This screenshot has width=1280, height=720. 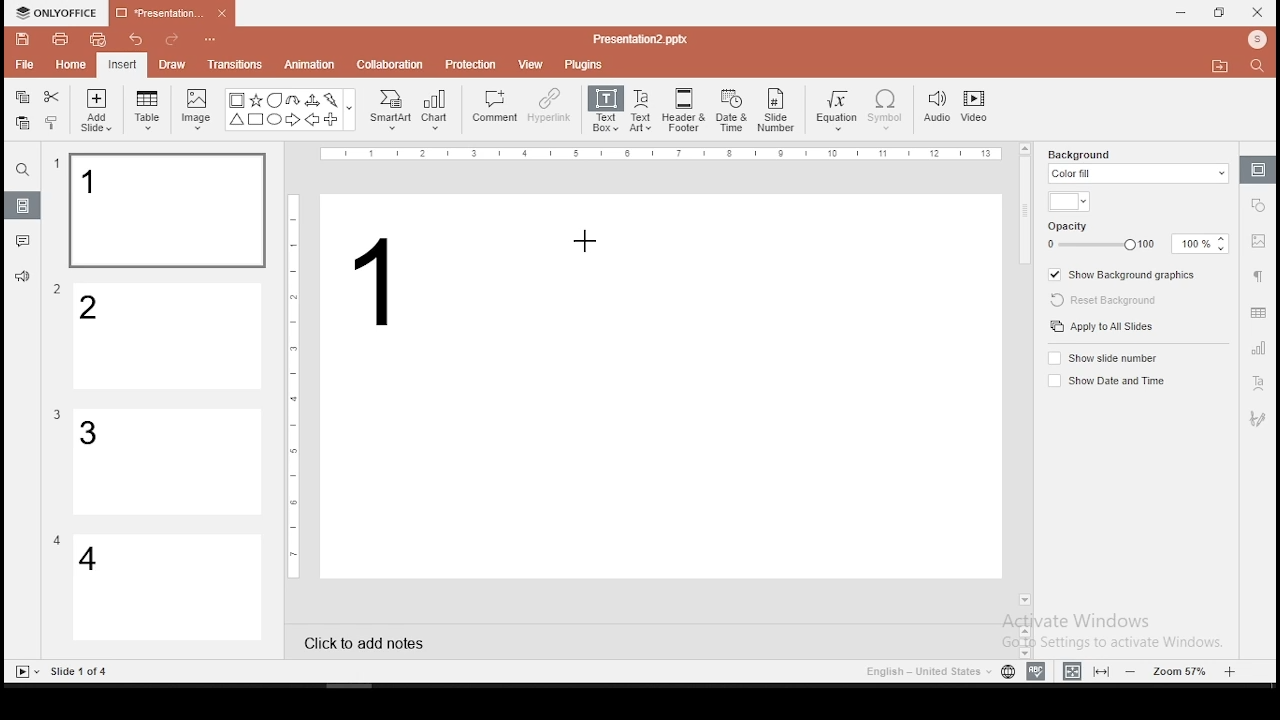 I want to click on , so click(x=57, y=164).